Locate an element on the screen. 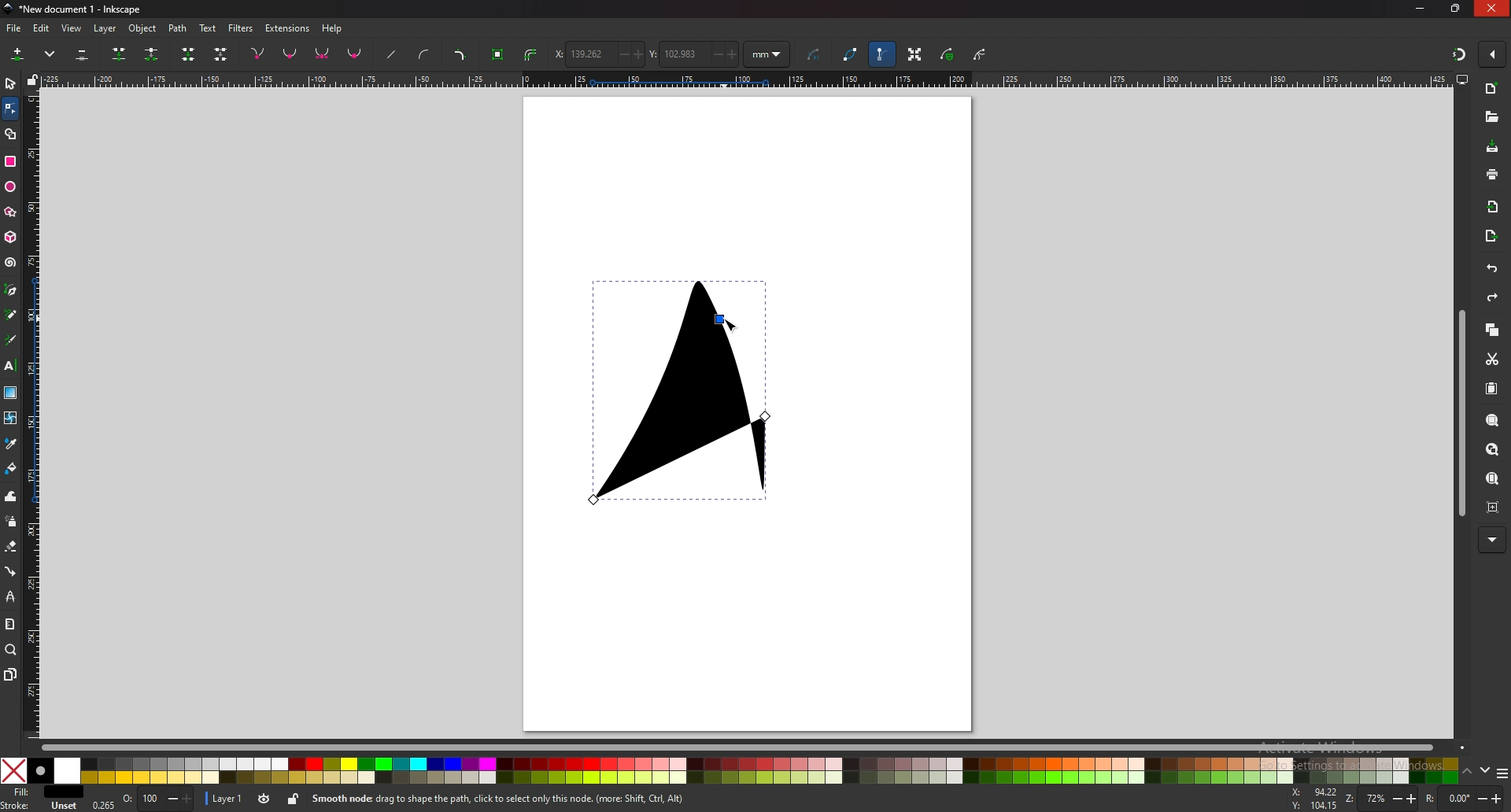 Image resolution: width=1511 pixels, height=812 pixels. tweak is located at coordinates (10, 496).